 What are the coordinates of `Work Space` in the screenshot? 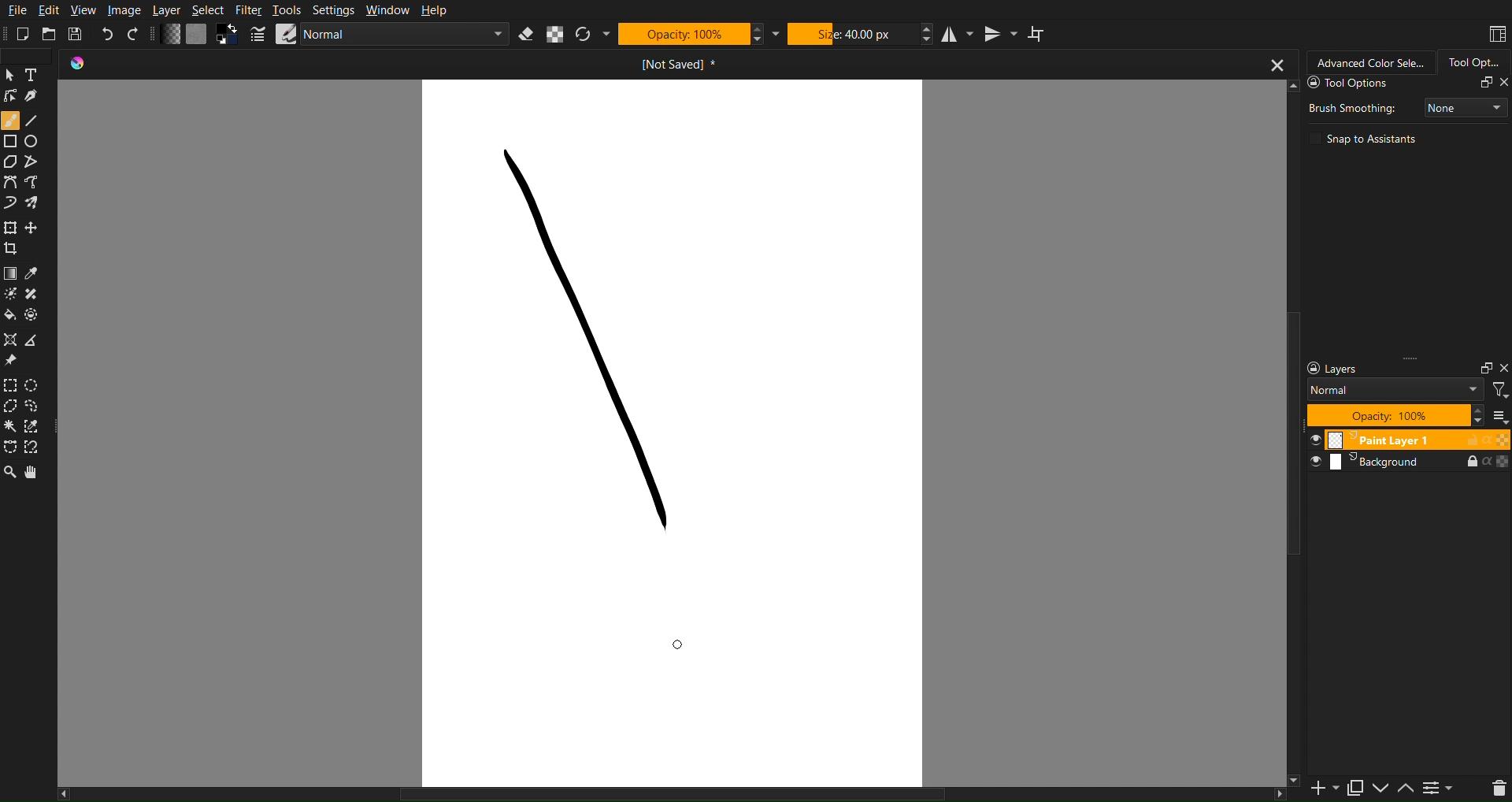 It's located at (822, 429).